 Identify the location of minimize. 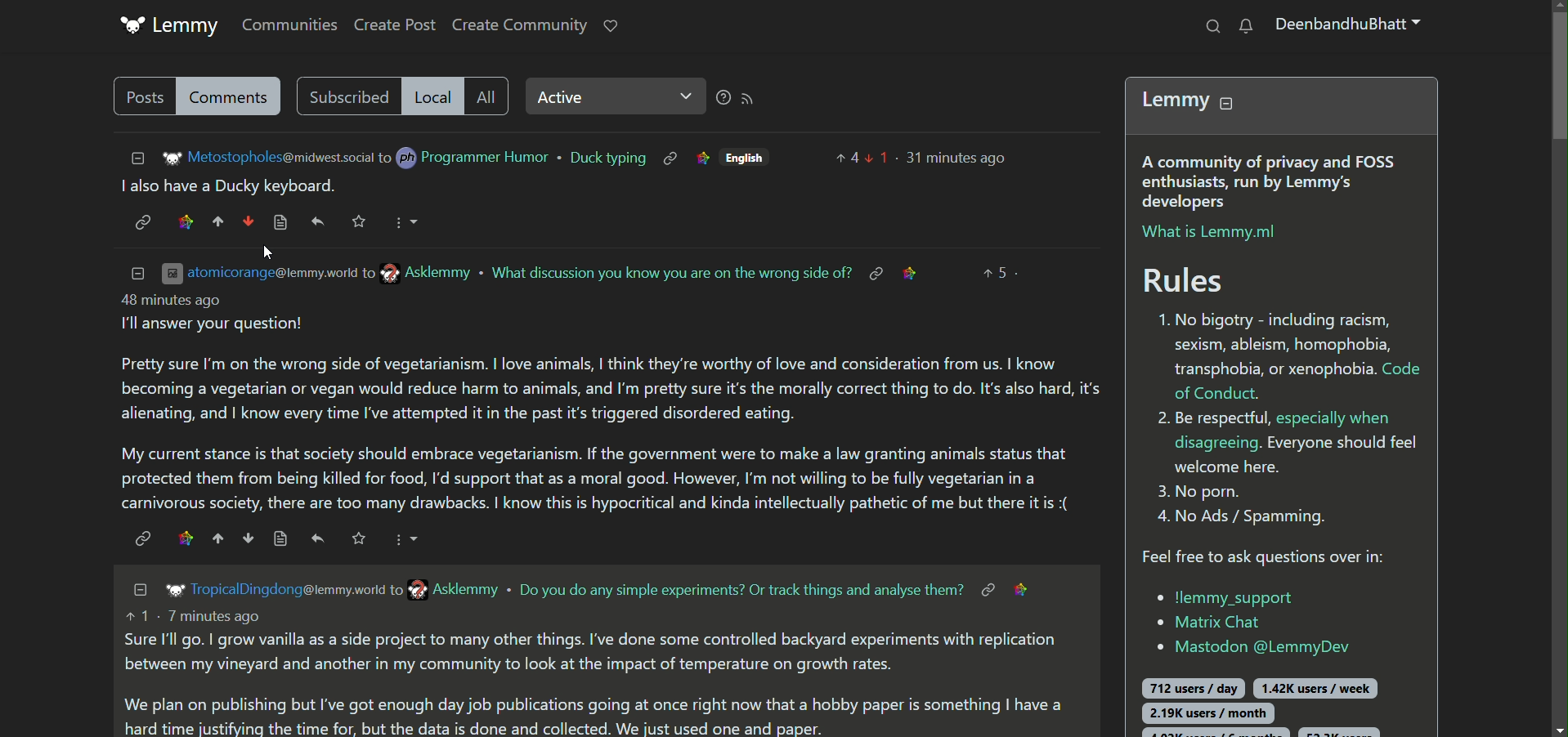
(137, 589).